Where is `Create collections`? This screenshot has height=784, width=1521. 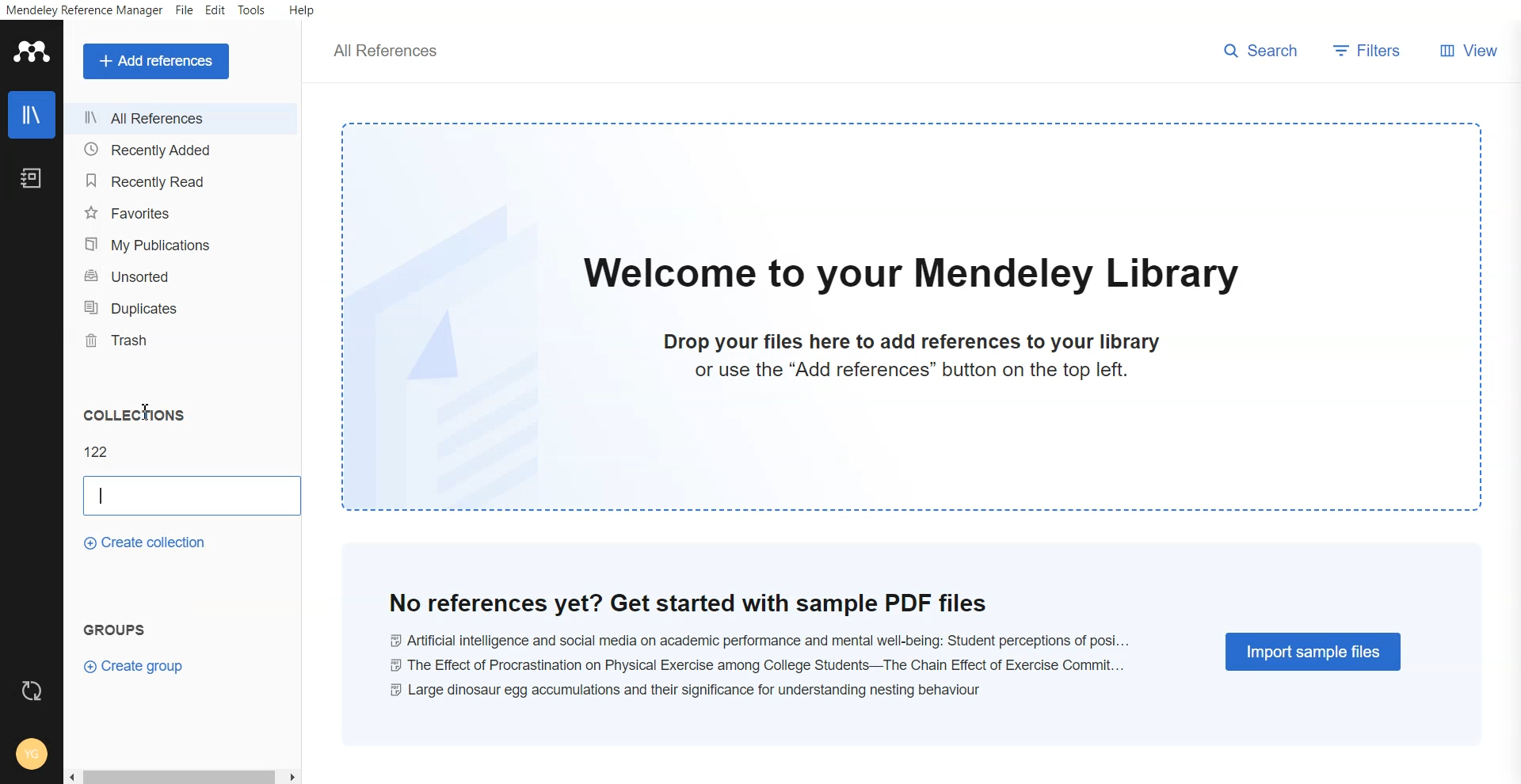
Create collections is located at coordinates (151, 542).